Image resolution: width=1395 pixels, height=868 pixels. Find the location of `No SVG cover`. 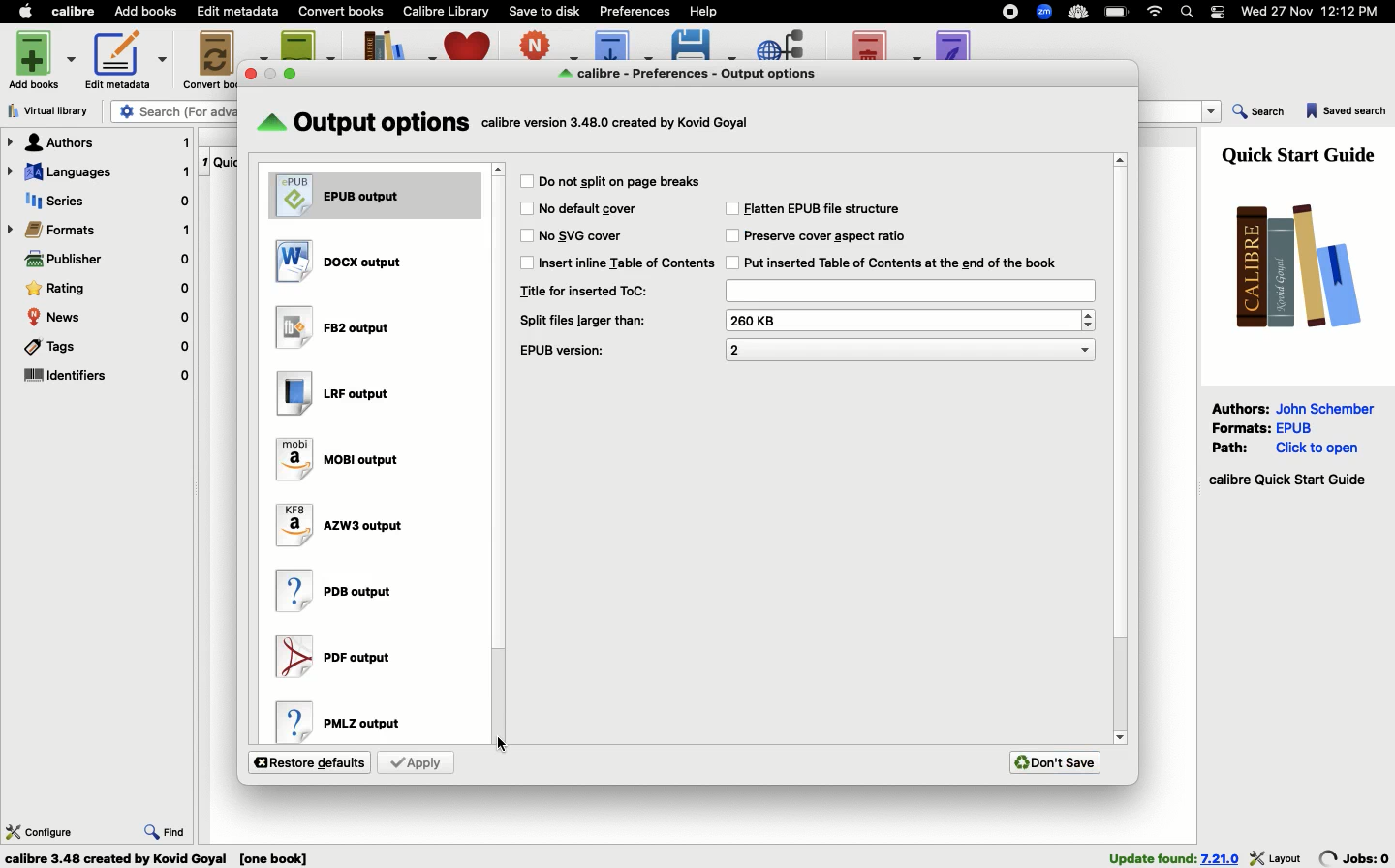

No SVG cover is located at coordinates (584, 233).